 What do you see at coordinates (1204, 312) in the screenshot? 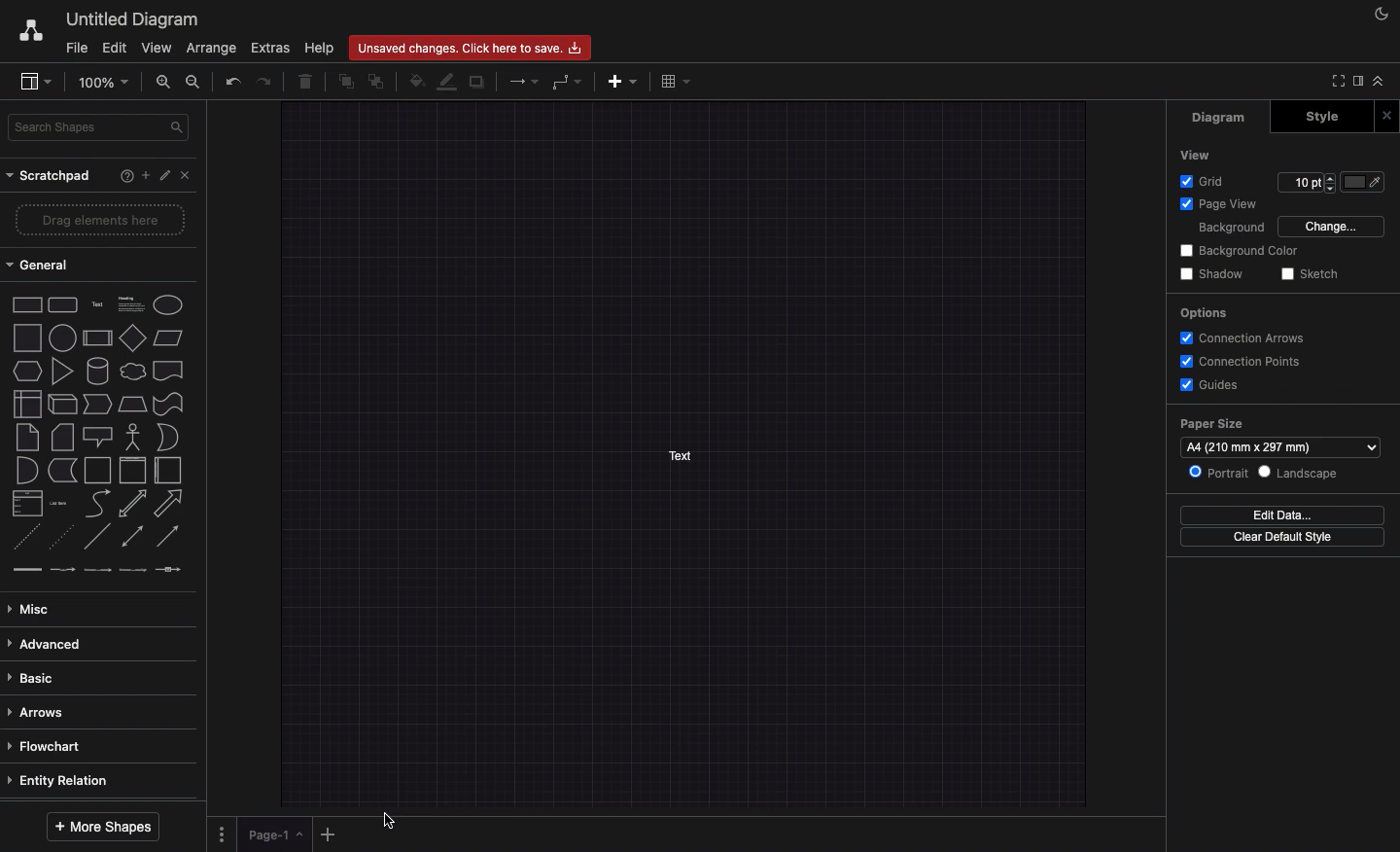
I see `Options` at bounding box center [1204, 312].